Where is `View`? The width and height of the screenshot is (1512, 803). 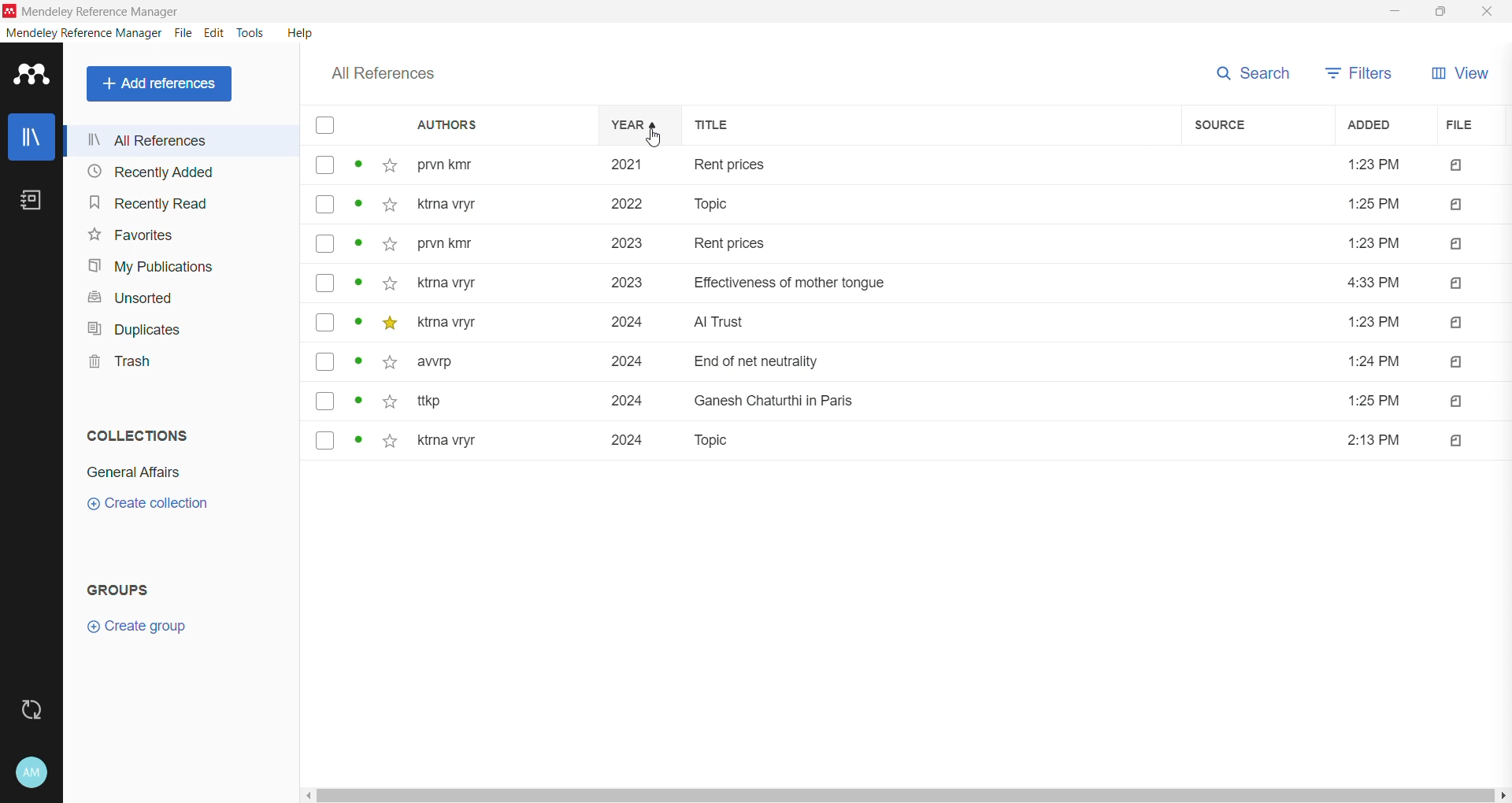
View is located at coordinates (1459, 73).